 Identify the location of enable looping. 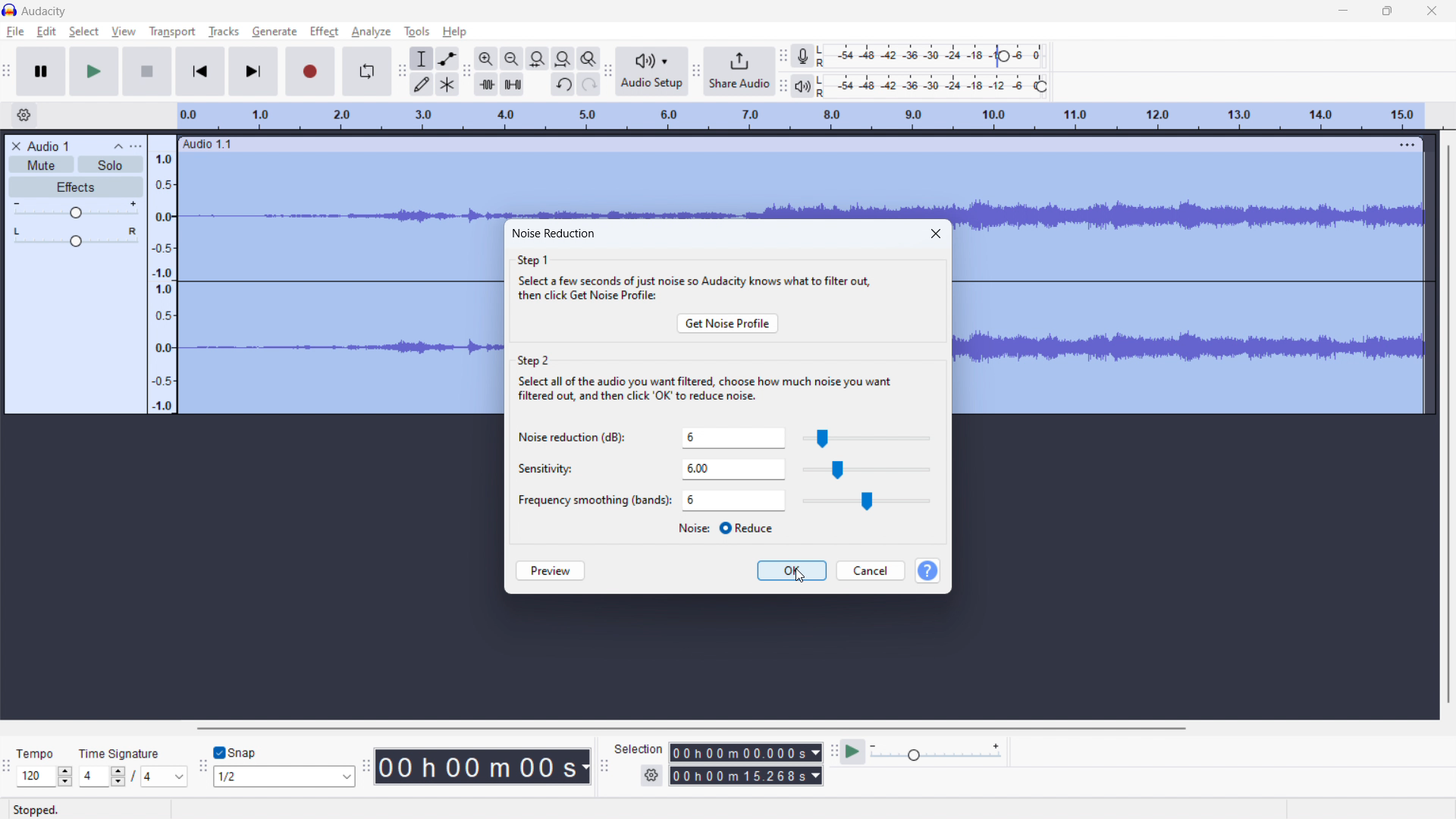
(366, 71).